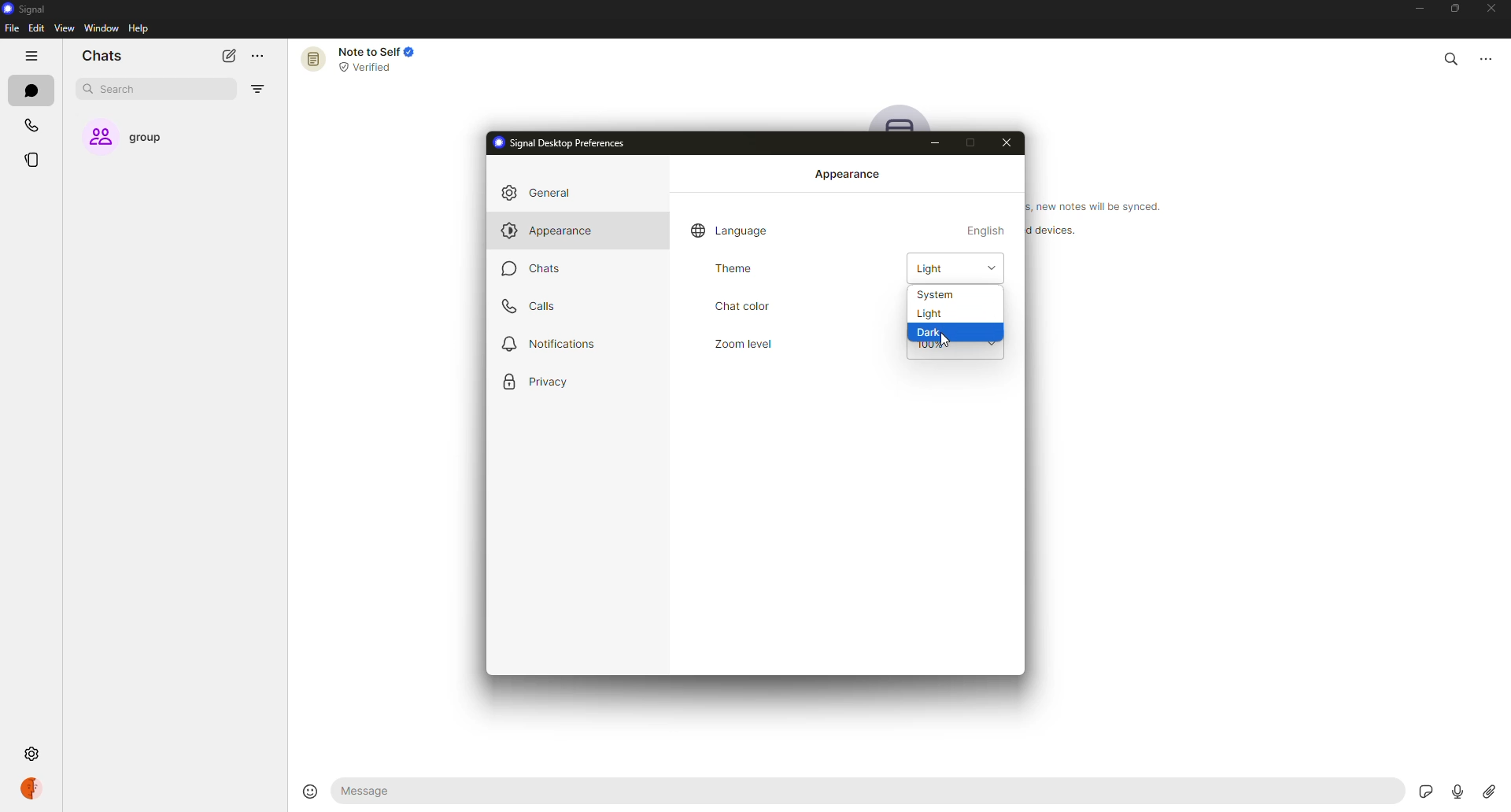 The image size is (1511, 812). What do you see at coordinates (35, 92) in the screenshot?
I see `chats` at bounding box center [35, 92].